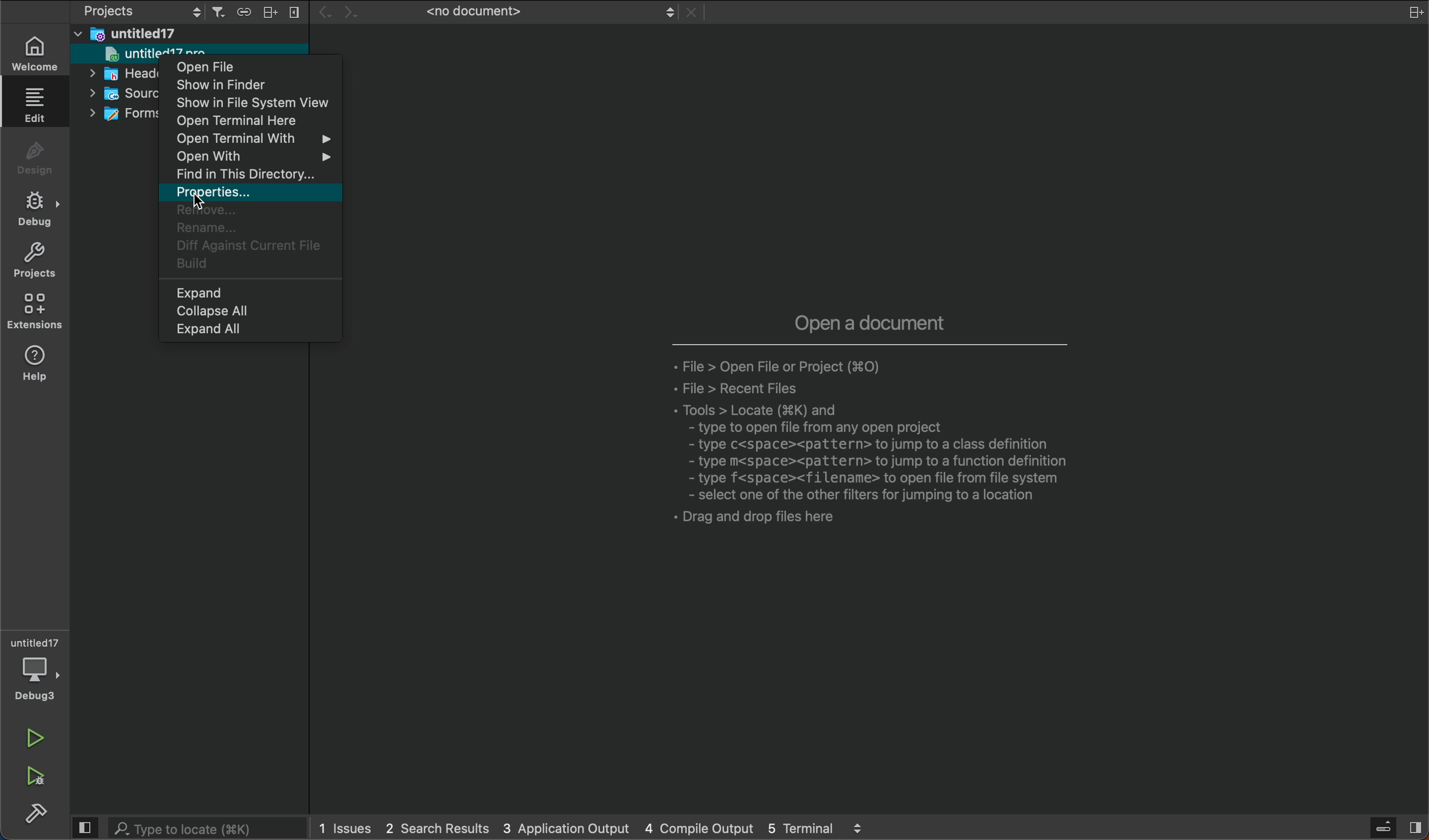 The width and height of the screenshot is (1429, 840). What do you see at coordinates (259, 84) in the screenshot?
I see `show in folder` at bounding box center [259, 84].